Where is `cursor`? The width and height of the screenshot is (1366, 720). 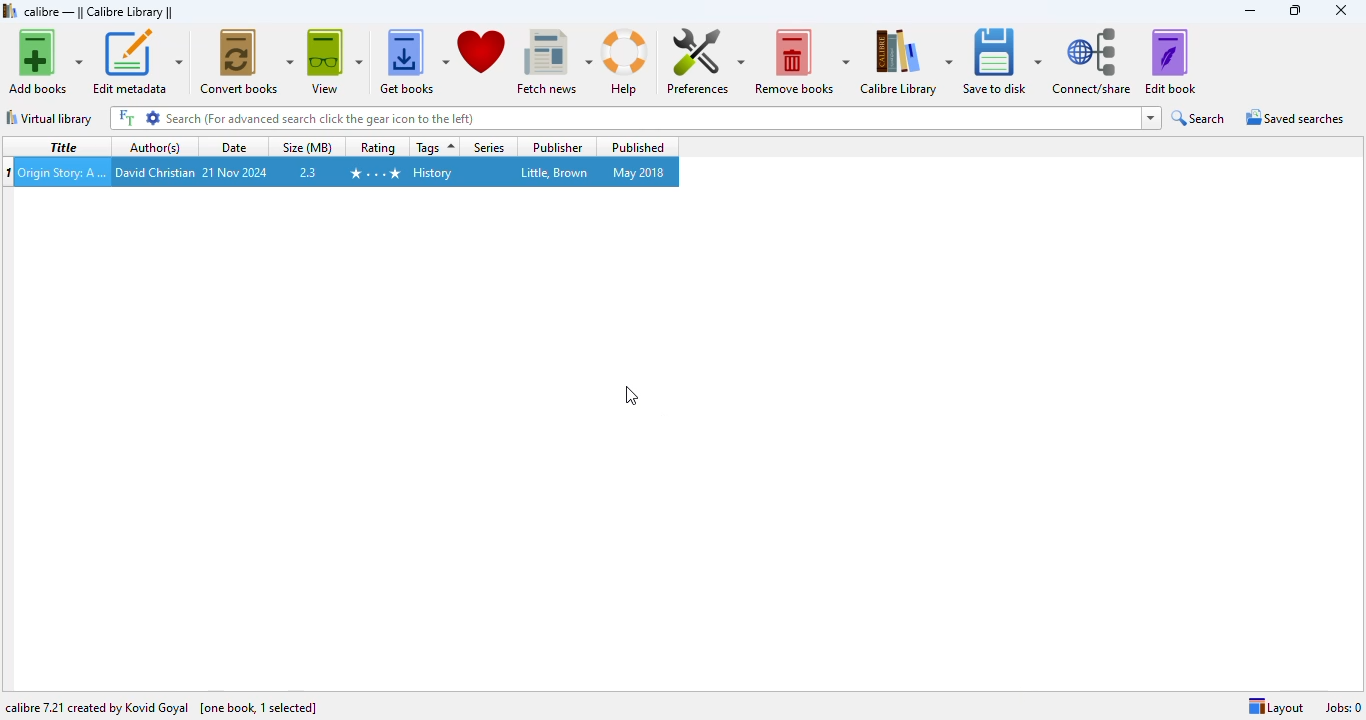 cursor is located at coordinates (632, 397).